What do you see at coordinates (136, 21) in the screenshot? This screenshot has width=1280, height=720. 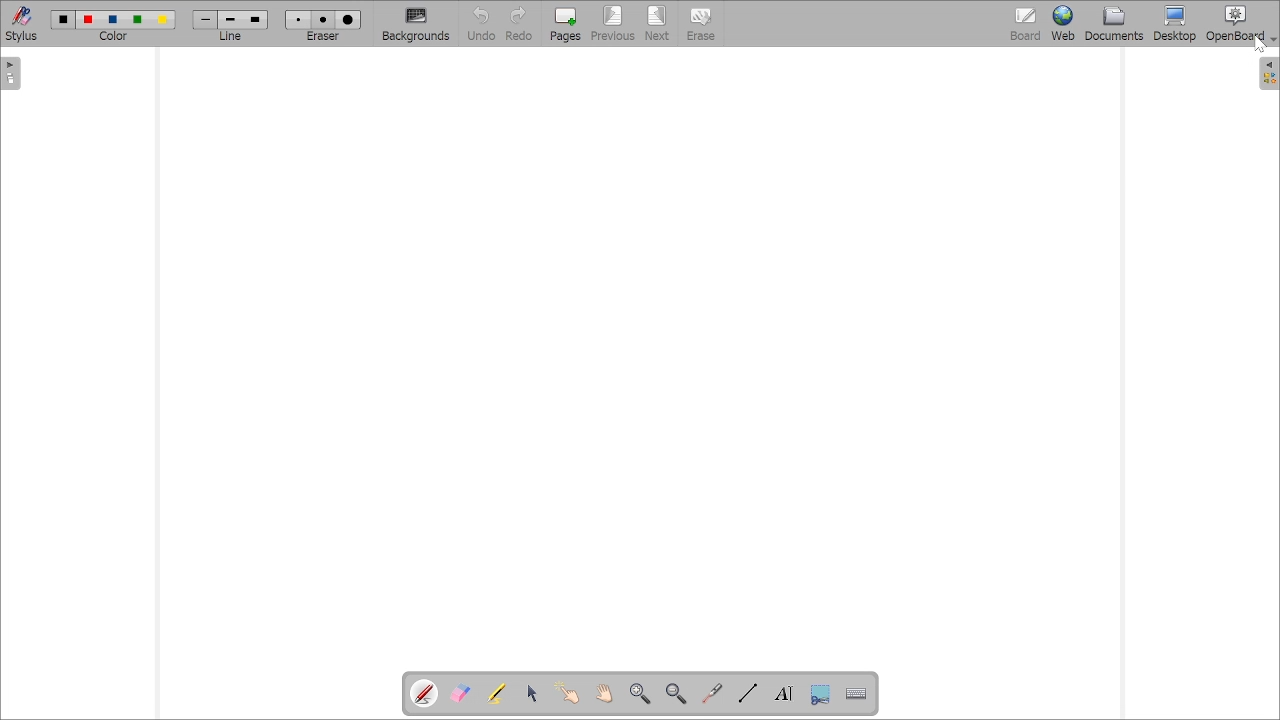 I see `color4` at bounding box center [136, 21].